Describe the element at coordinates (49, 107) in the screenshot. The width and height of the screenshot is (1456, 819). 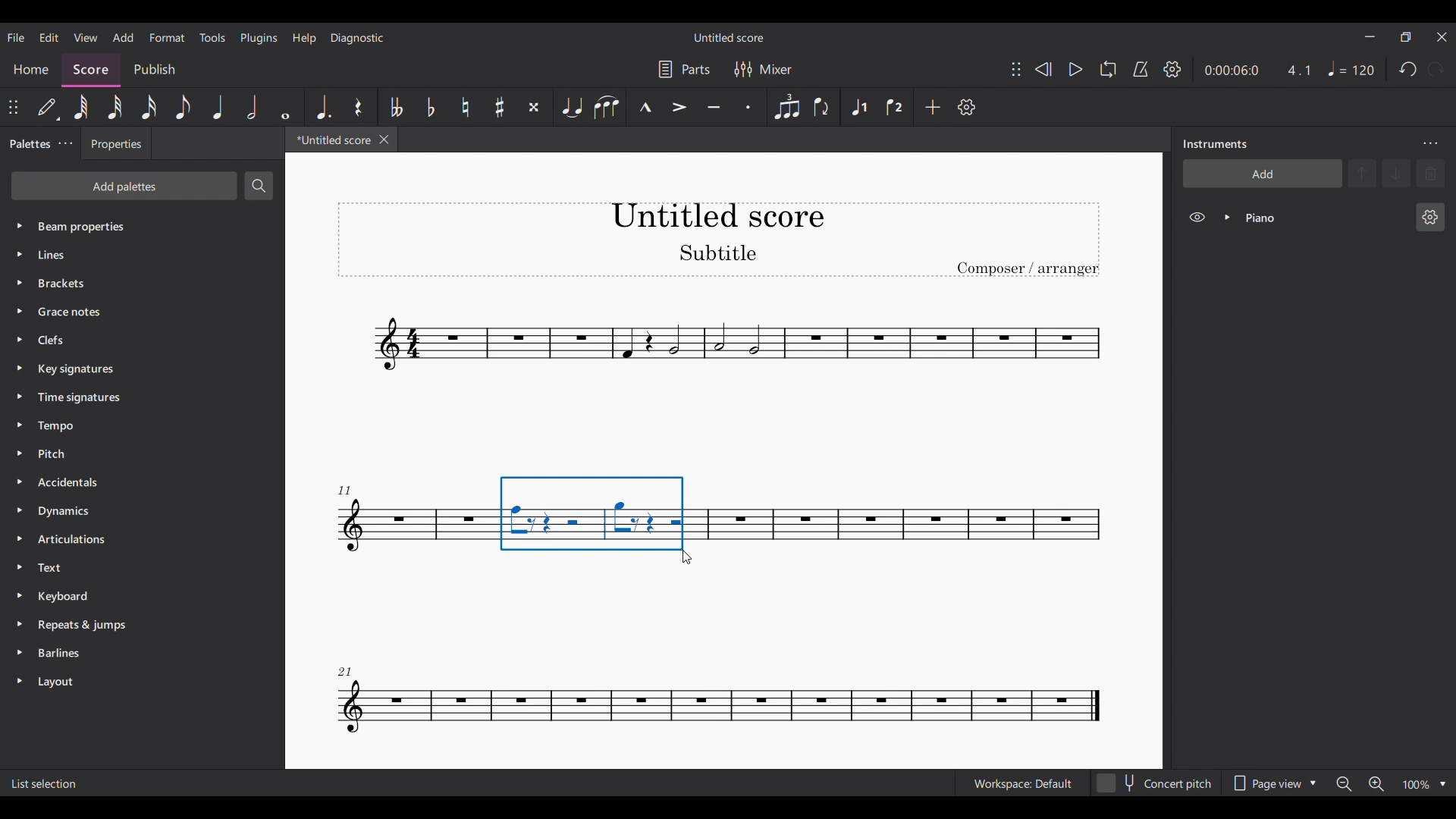
I see `Default` at that location.